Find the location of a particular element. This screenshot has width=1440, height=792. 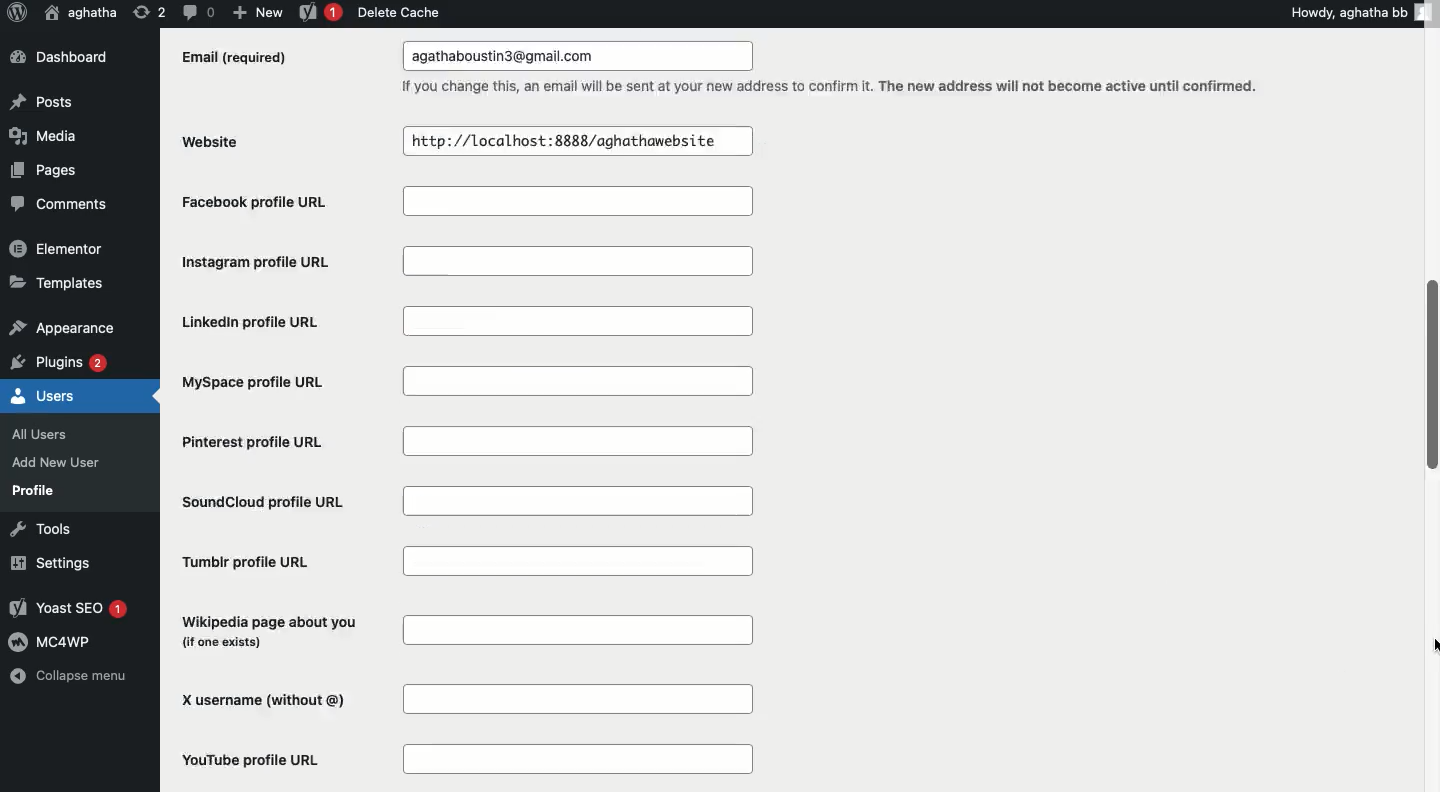

MySpace profile URL is located at coordinates (463, 381).